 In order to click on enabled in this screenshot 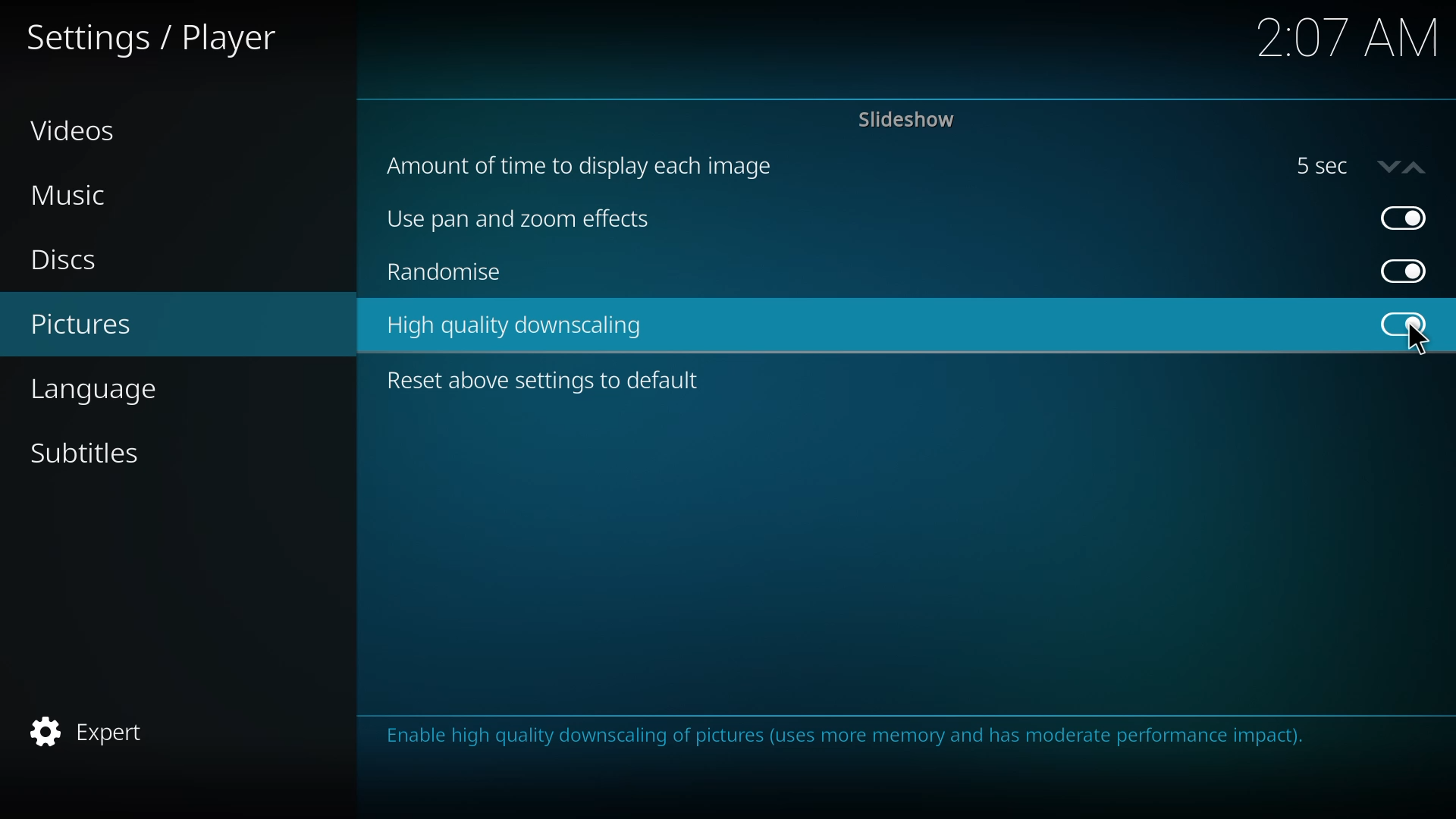, I will do `click(1407, 271)`.